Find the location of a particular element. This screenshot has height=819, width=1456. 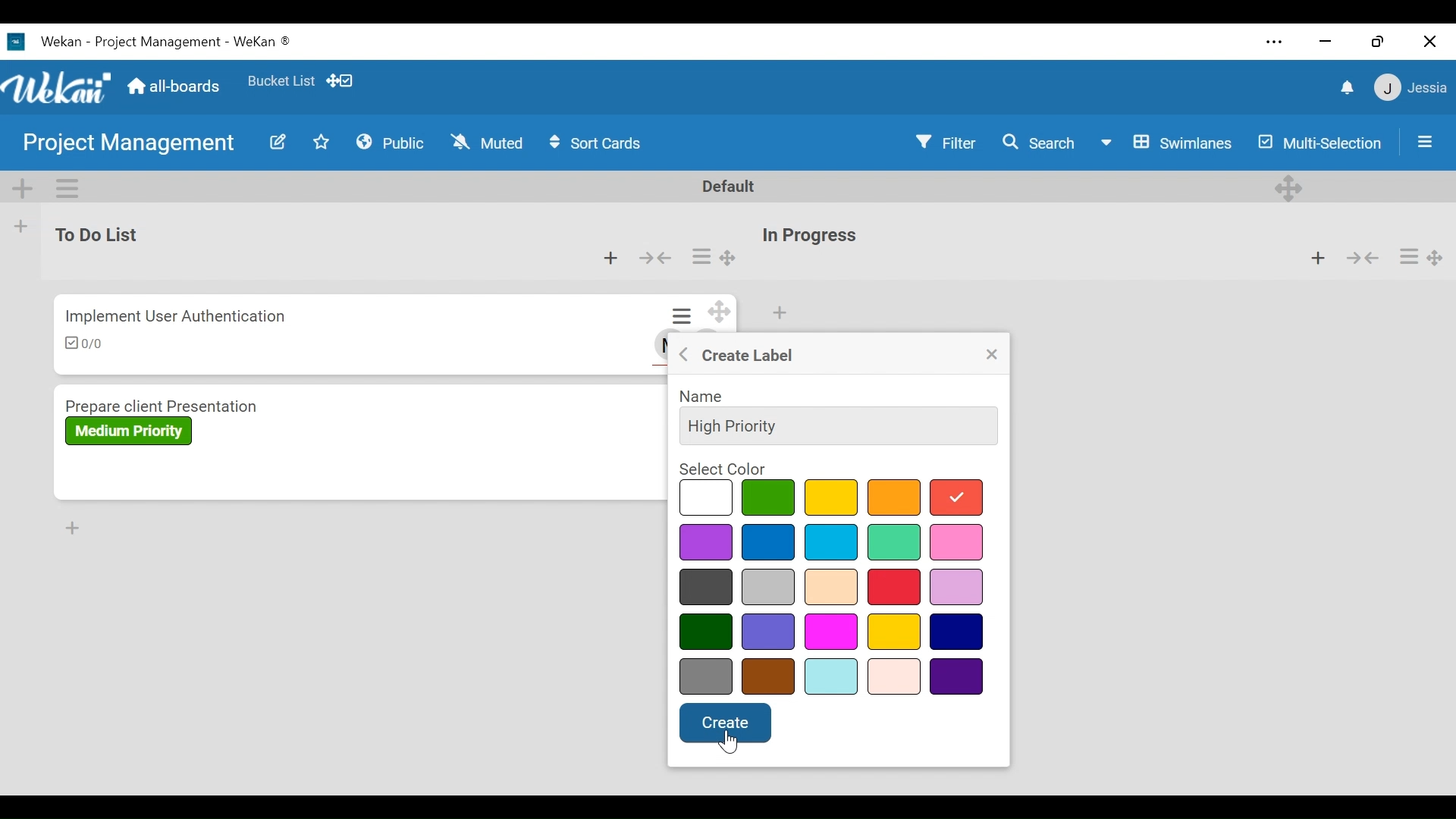

Go back is located at coordinates (686, 353).